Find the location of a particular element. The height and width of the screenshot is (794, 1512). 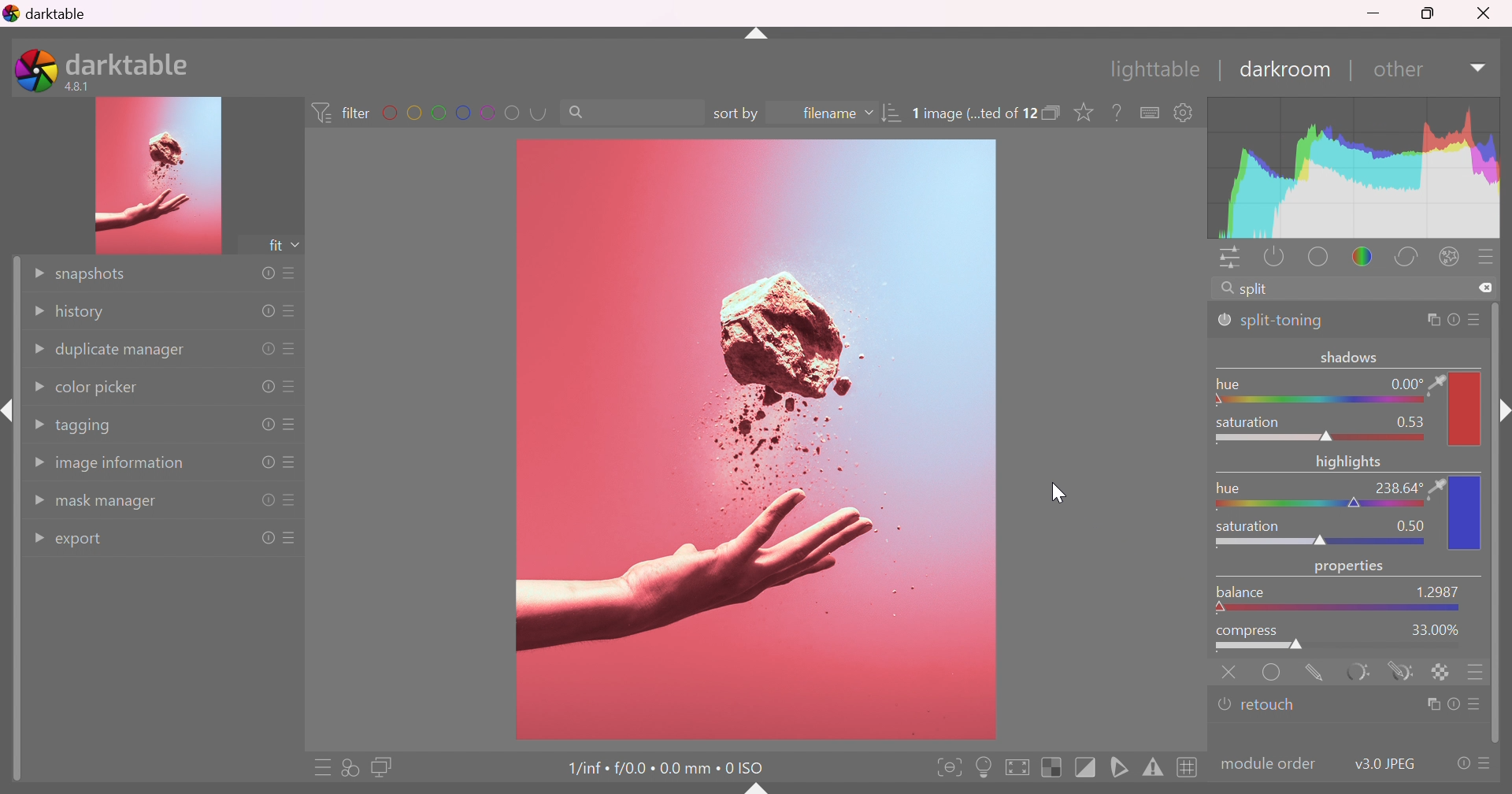

presets is located at coordinates (292, 311).